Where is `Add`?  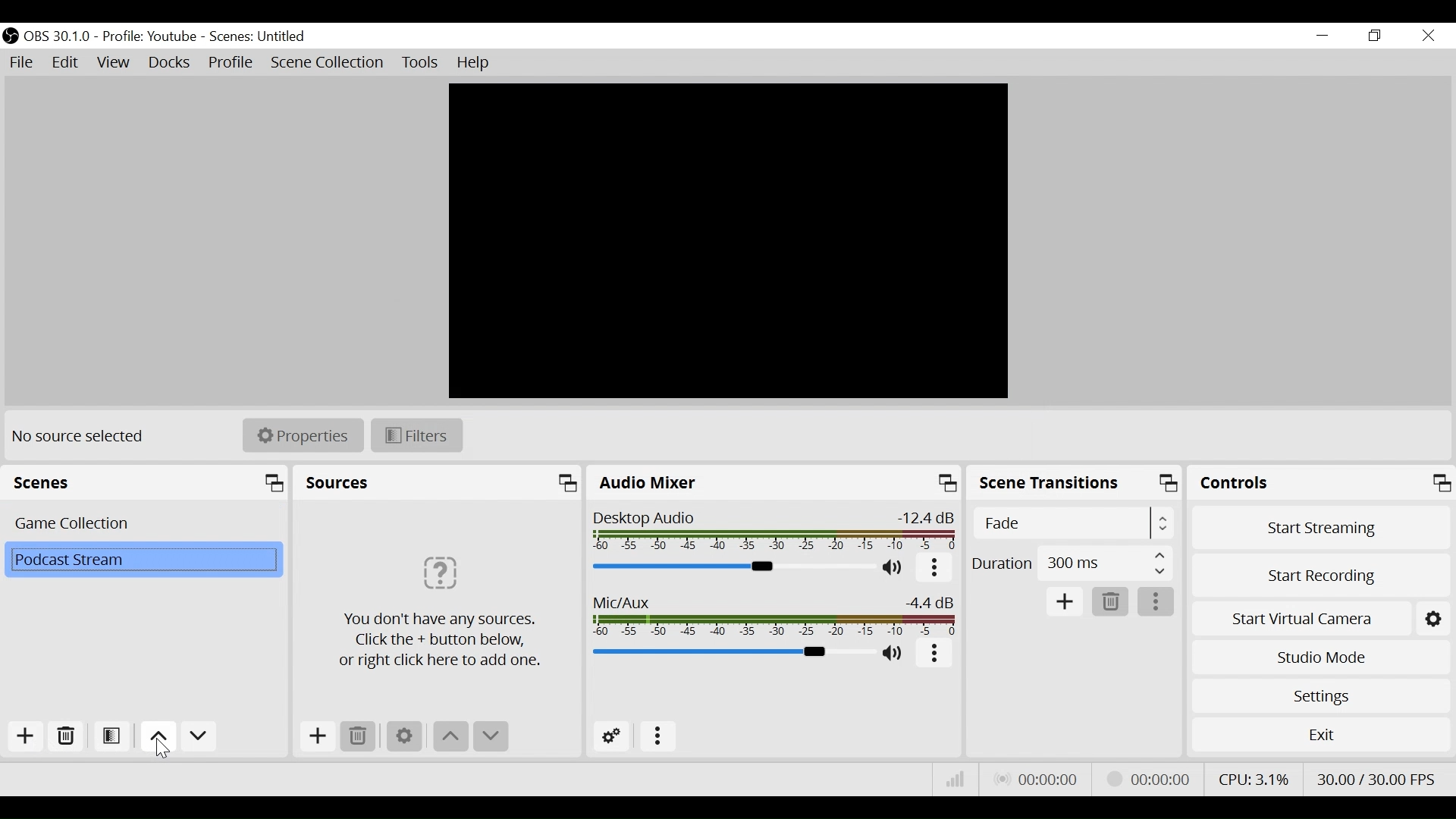 Add is located at coordinates (315, 736).